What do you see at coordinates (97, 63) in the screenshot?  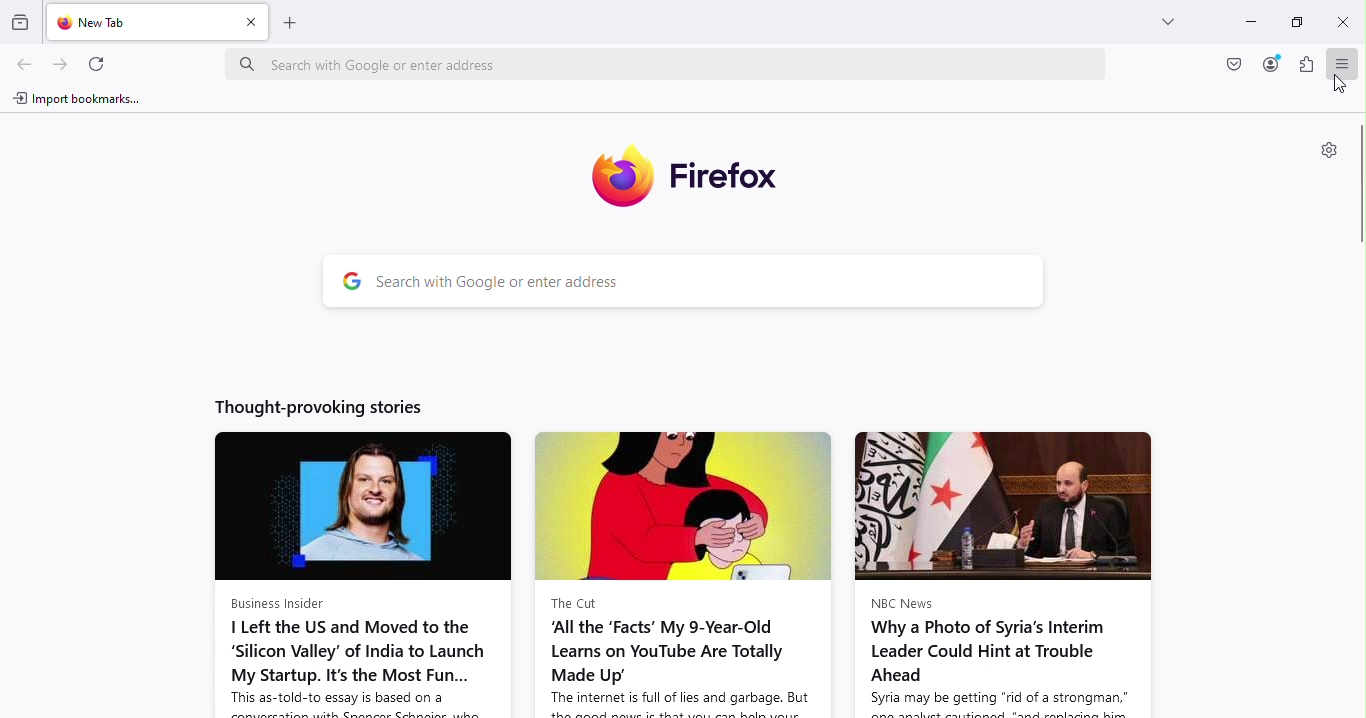 I see `Reload current page` at bounding box center [97, 63].